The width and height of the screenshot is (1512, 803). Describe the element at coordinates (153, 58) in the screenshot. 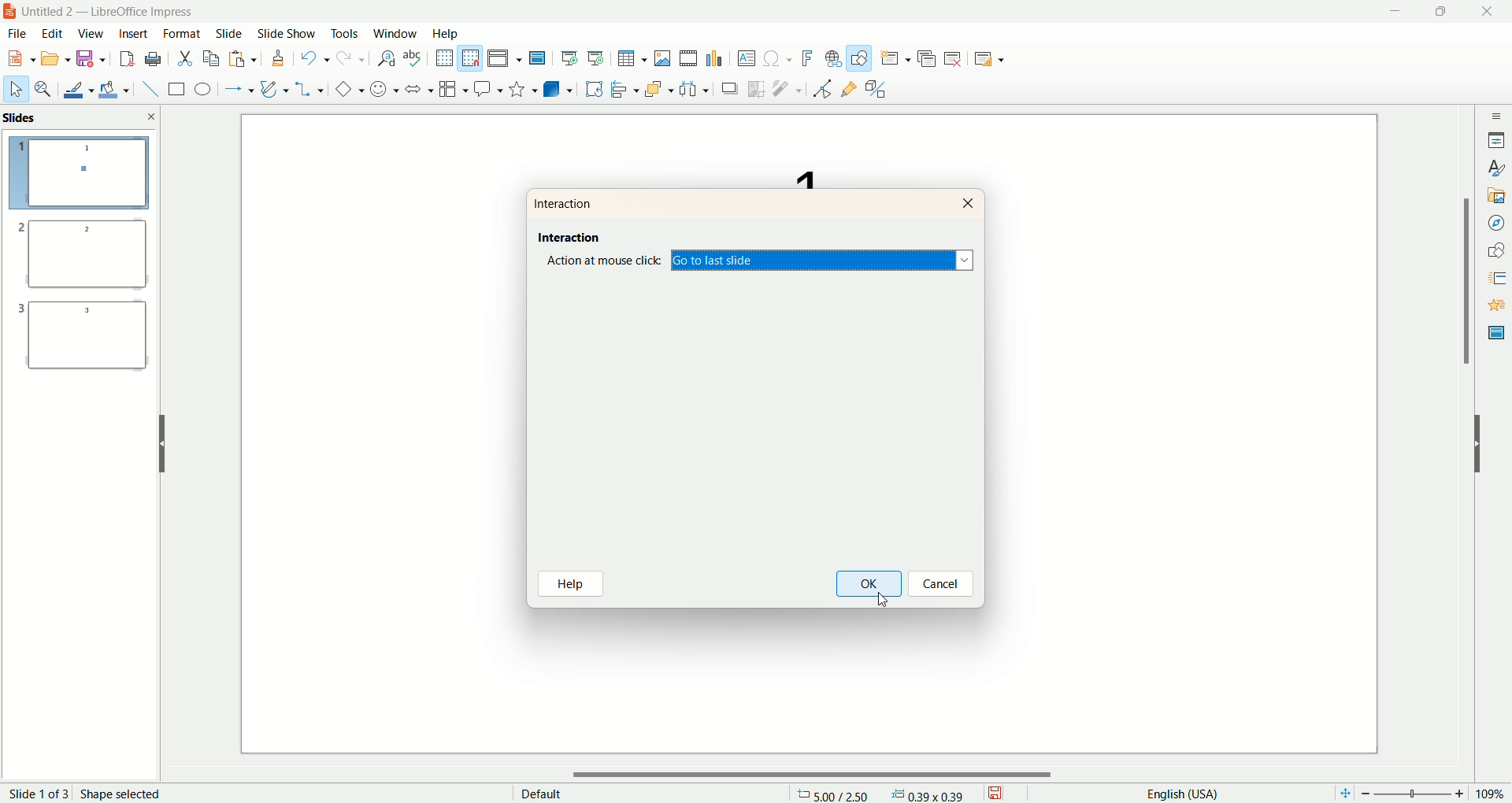

I see `print` at that location.